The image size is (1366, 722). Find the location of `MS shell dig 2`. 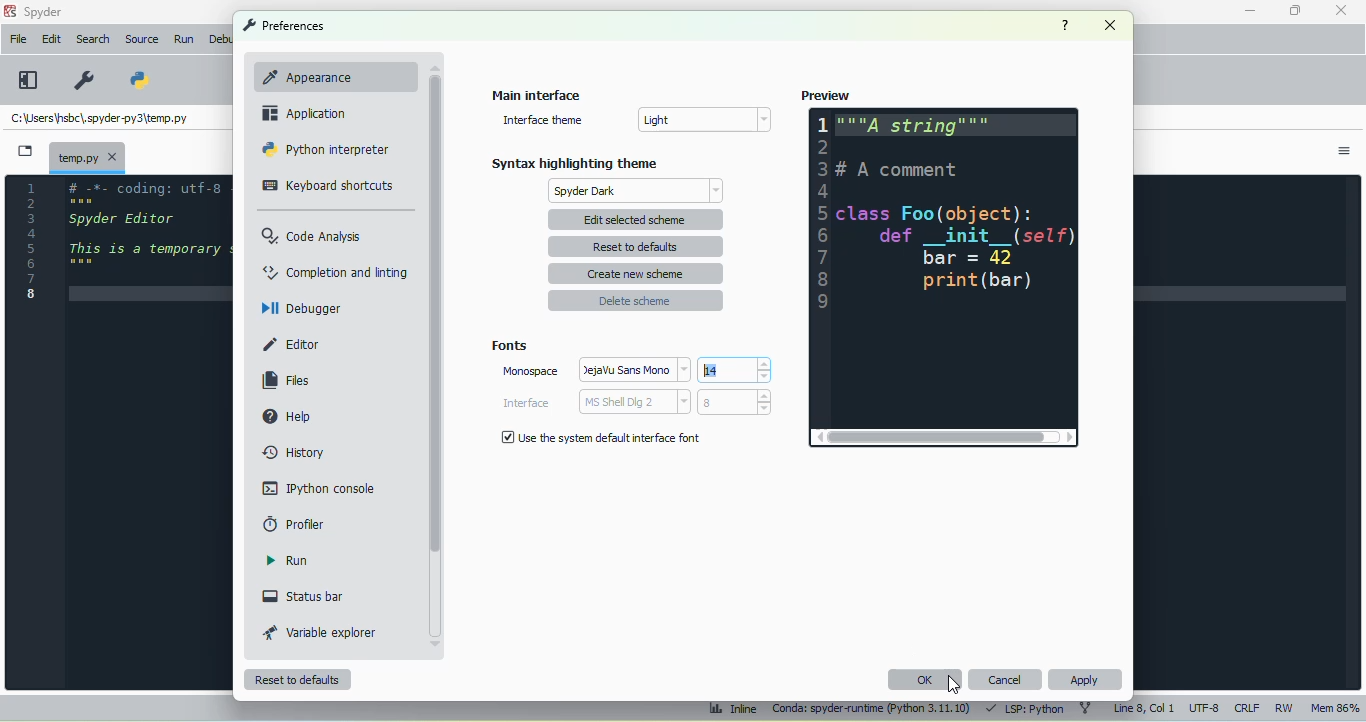

MS shell dig 2 is located at coordinates (634, 402).